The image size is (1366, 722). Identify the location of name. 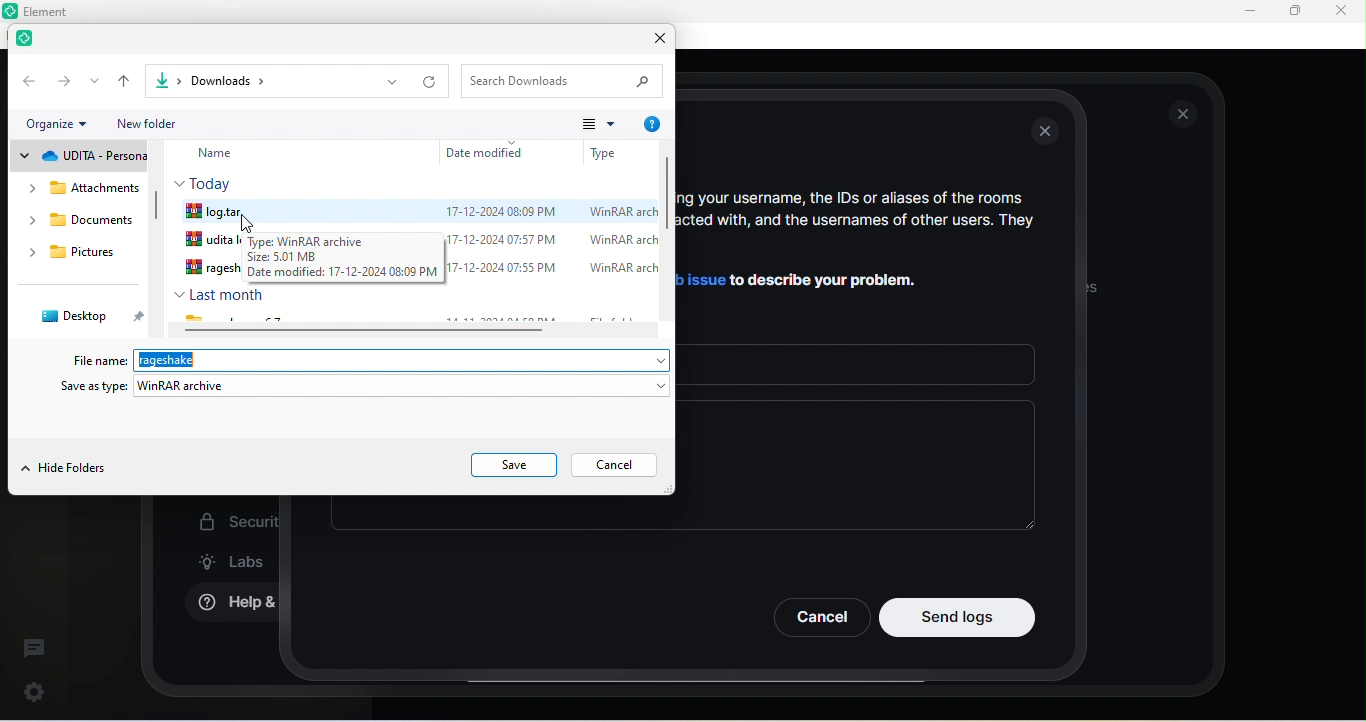
(230, 154).